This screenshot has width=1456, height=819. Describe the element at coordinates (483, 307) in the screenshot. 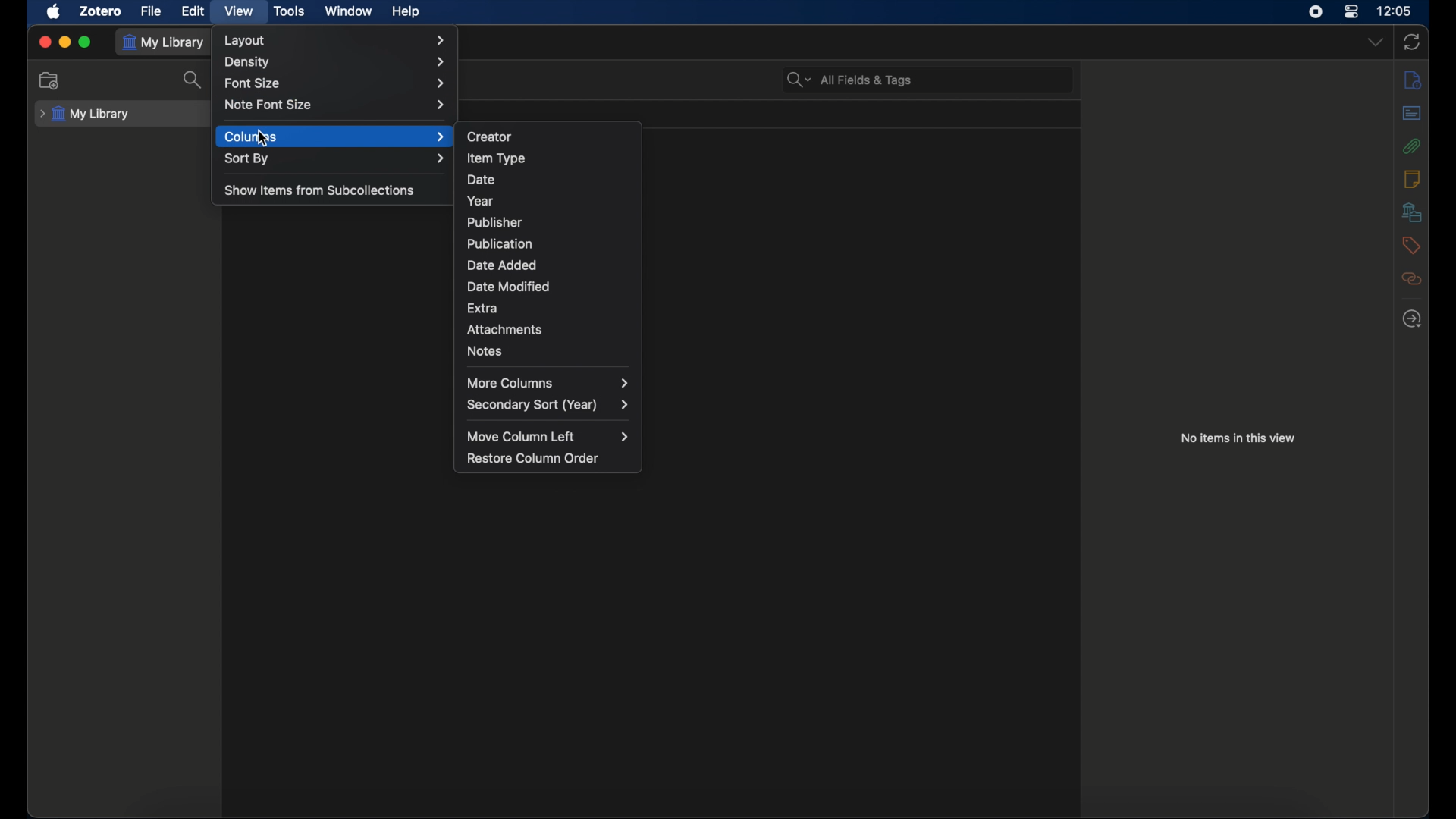

I see `extra` at that location.